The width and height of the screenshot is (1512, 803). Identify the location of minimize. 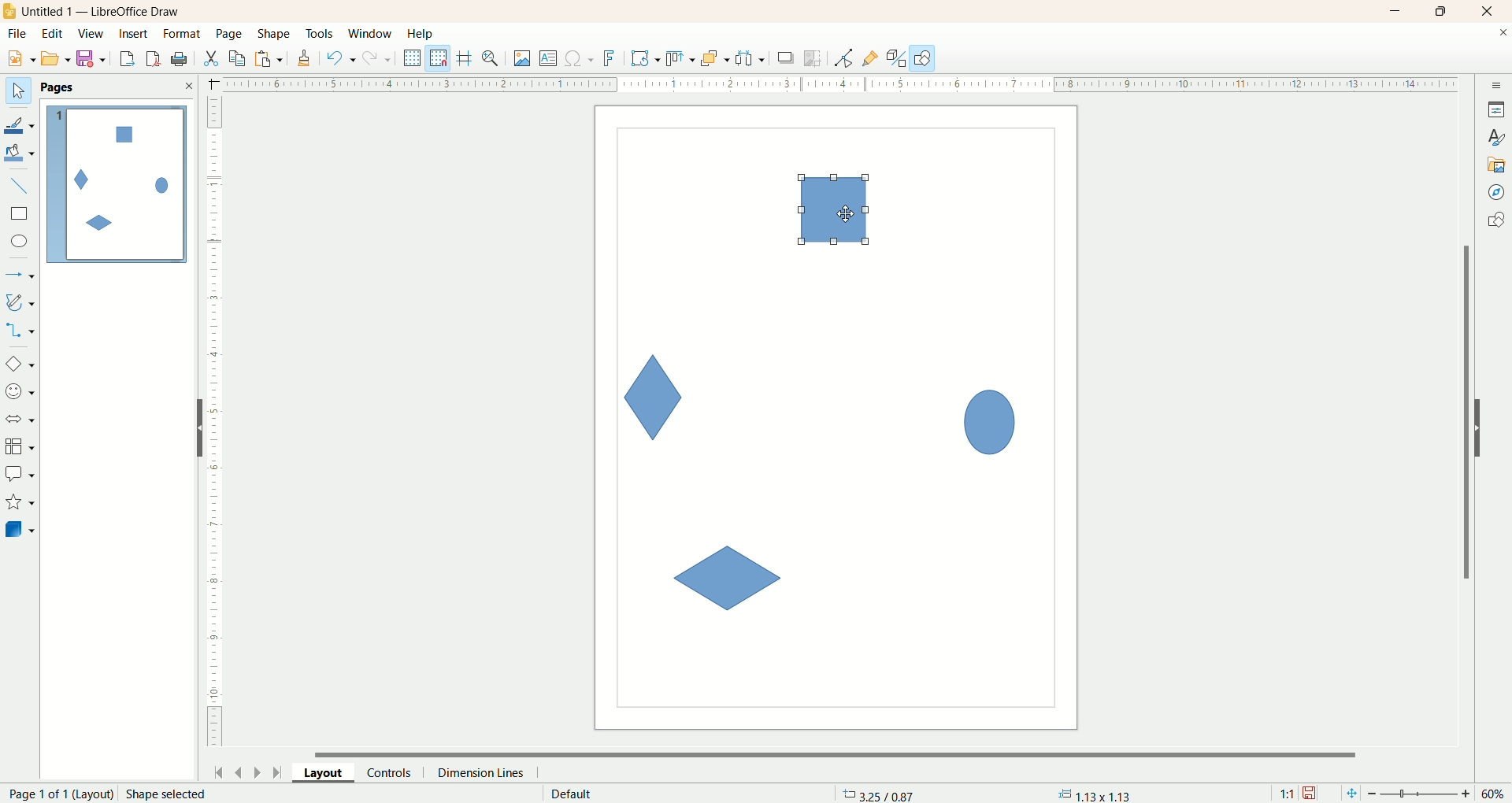
(1396, 11).